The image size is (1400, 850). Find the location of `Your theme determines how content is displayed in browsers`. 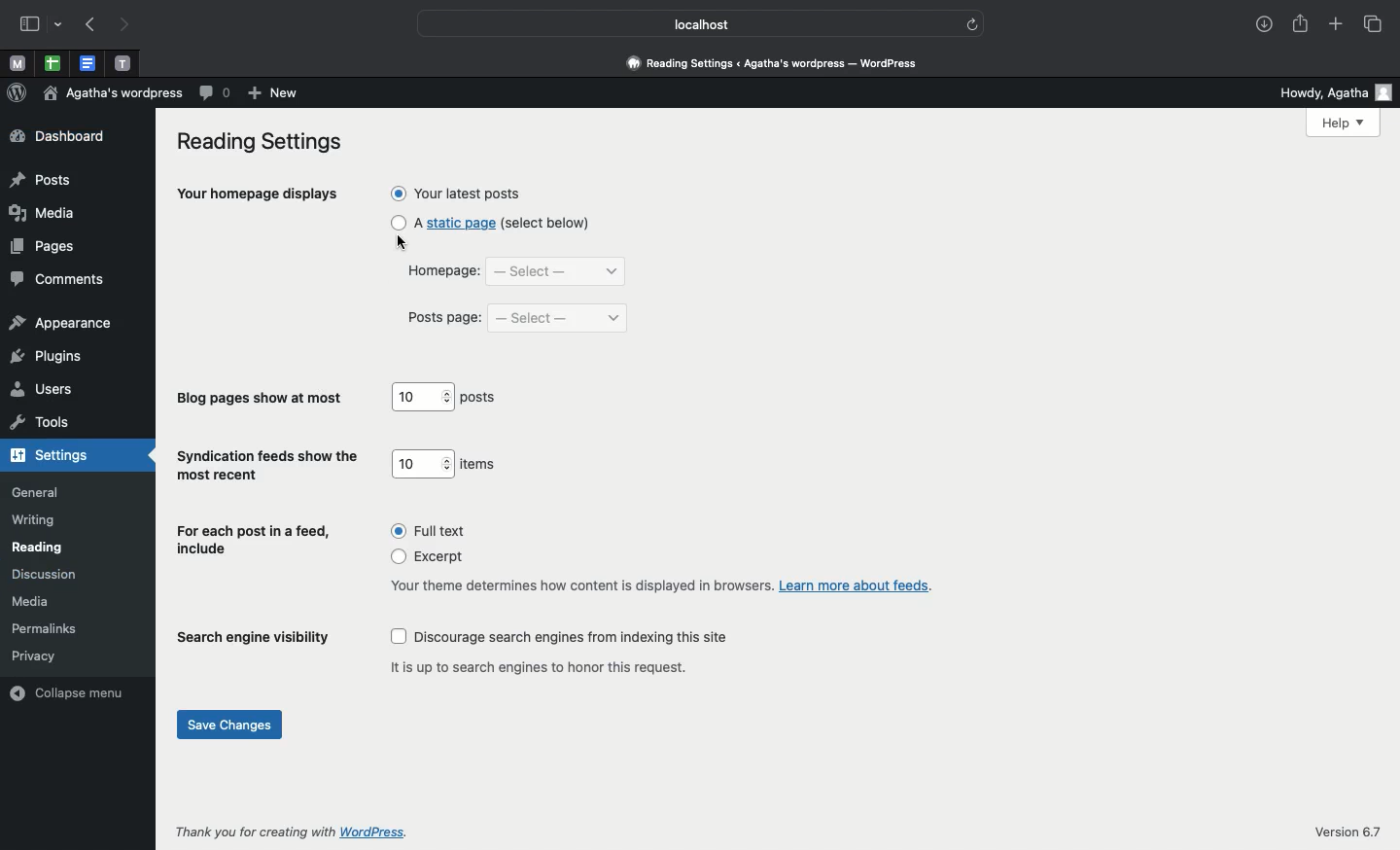

Your theme determines how content is displayed in browsers is located at coordinates (660, 585).